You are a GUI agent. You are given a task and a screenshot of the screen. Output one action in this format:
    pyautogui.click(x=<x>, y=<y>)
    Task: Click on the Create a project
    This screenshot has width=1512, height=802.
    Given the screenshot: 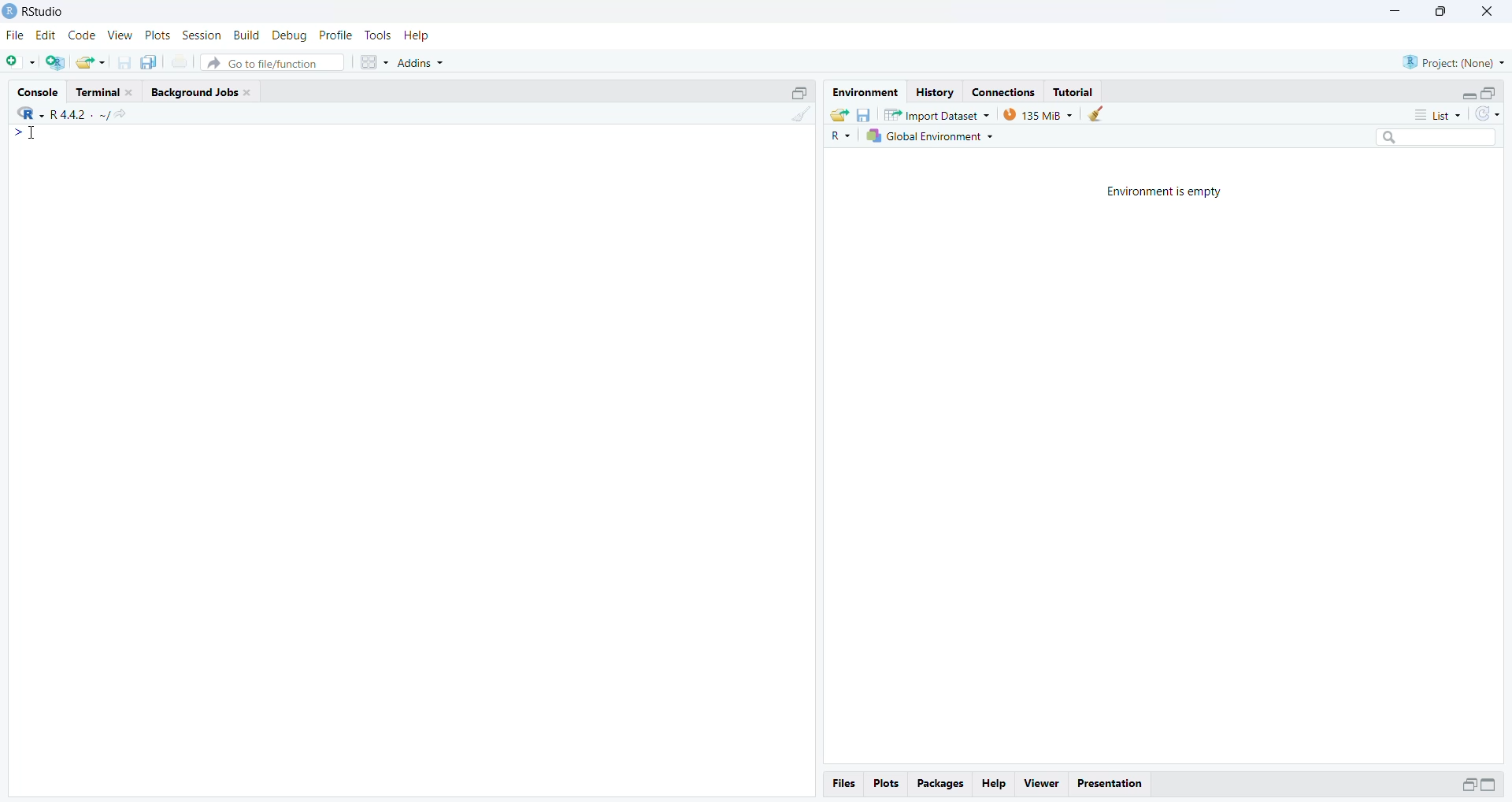 What is the action you would take?
    pyautogui.click(x=56, y=61)
    